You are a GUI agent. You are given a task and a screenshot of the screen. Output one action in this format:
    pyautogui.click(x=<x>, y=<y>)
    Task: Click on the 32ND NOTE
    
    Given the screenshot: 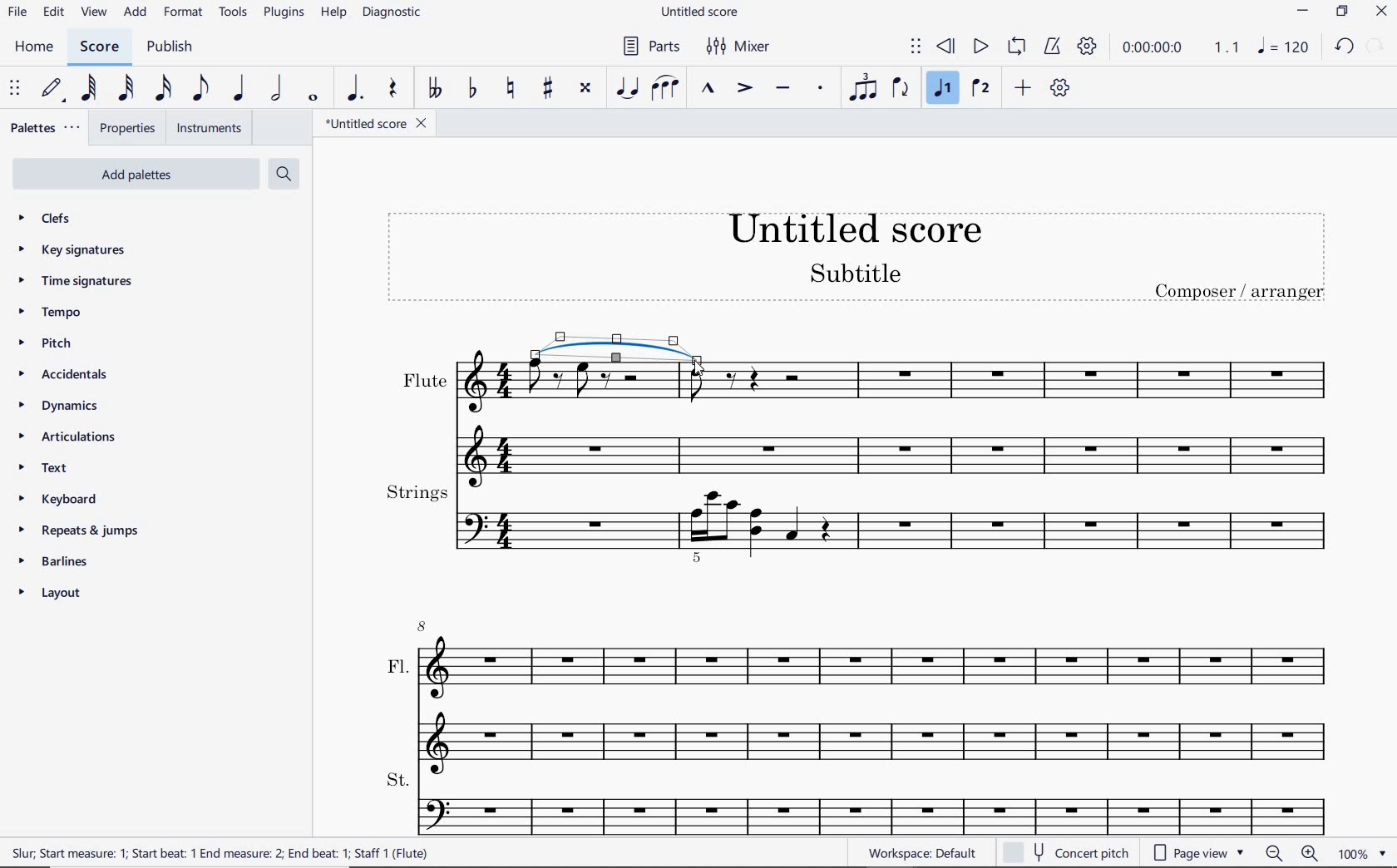 What is the action you would take?
    pyautogui.click(x=123, y=89)
    